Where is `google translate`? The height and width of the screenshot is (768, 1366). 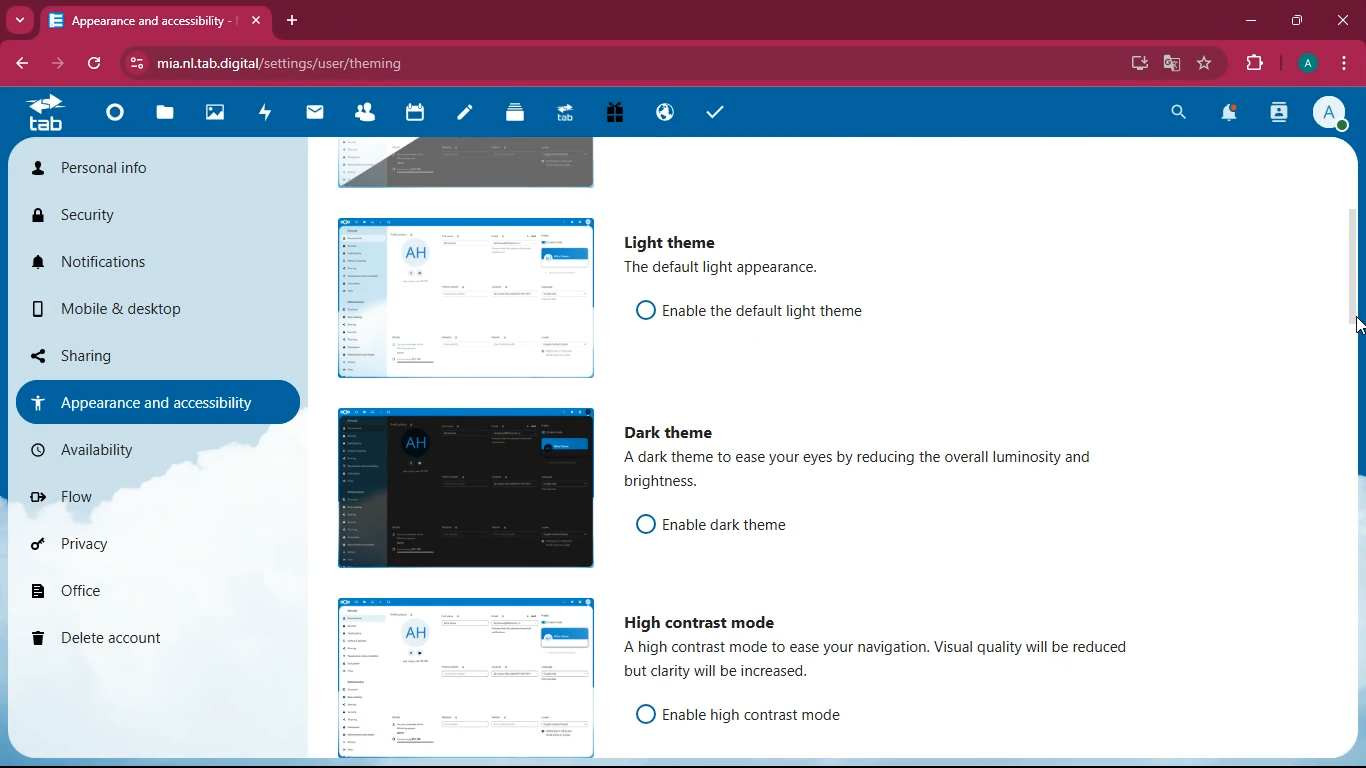
google translate is located at coordinates (1172, 63).